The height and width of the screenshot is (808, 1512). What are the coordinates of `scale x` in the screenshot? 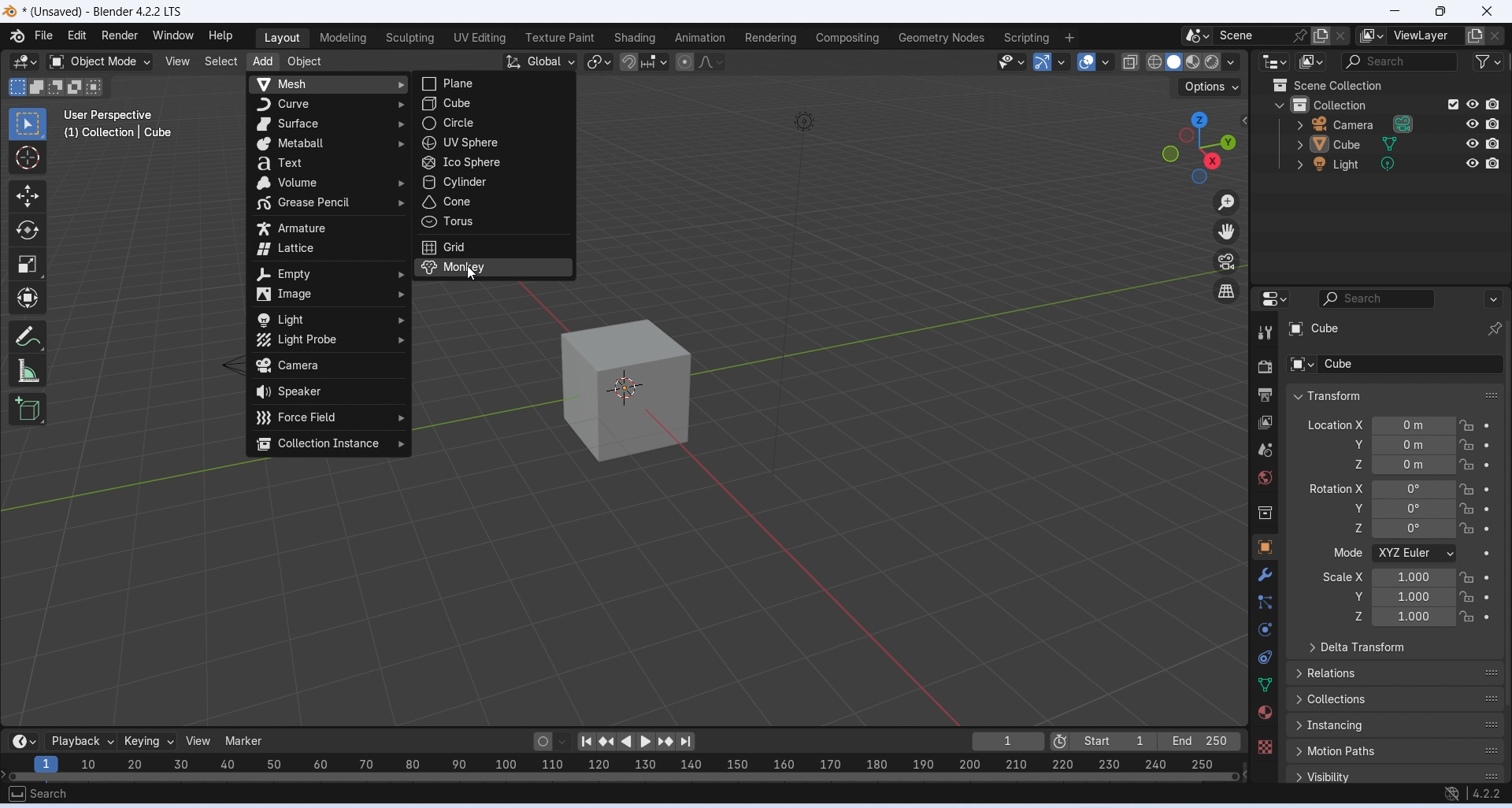 It's located at (1341, 576).